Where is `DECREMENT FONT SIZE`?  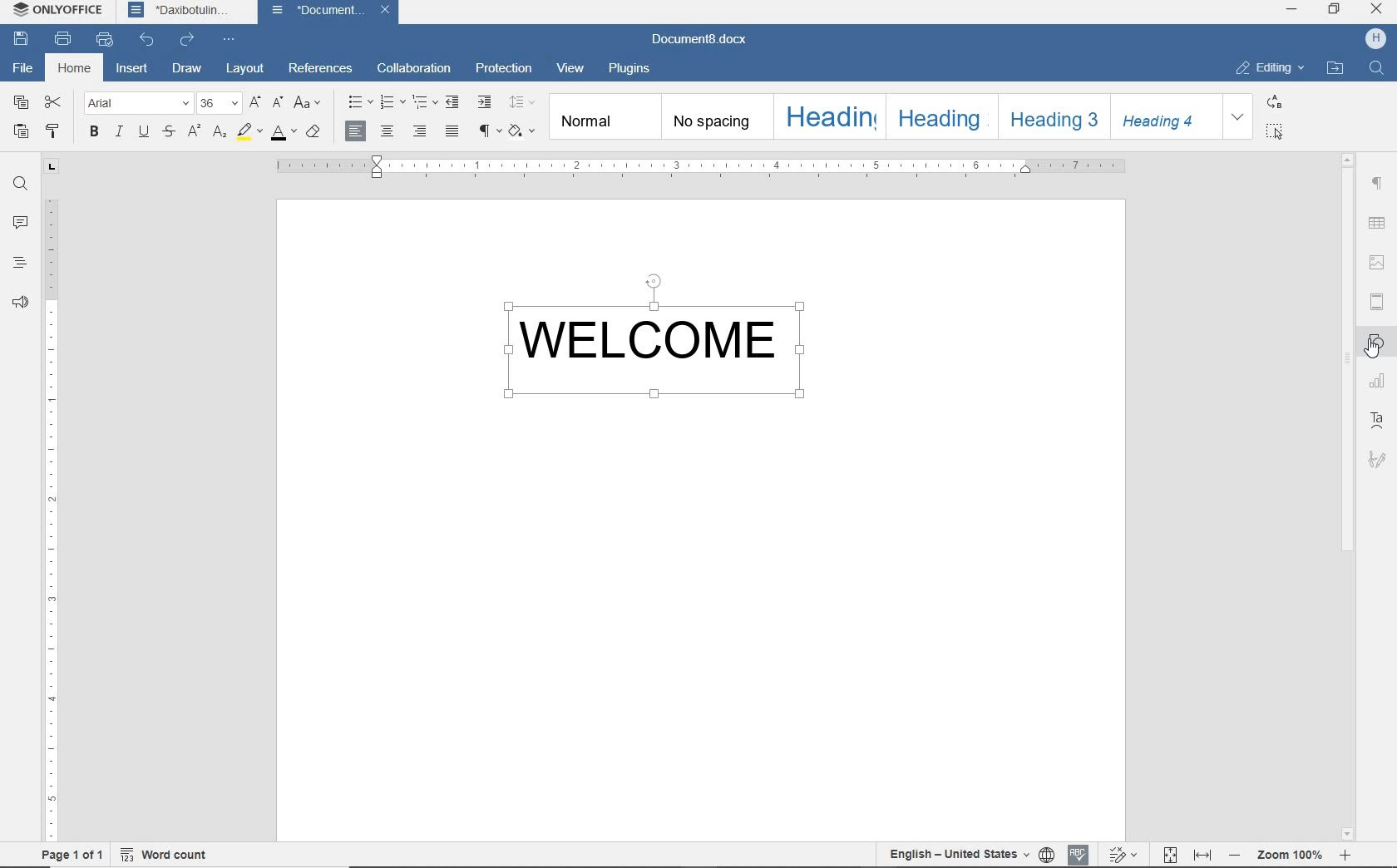 DECREMENT FONT SIZE is located at coordinates (279, 103).